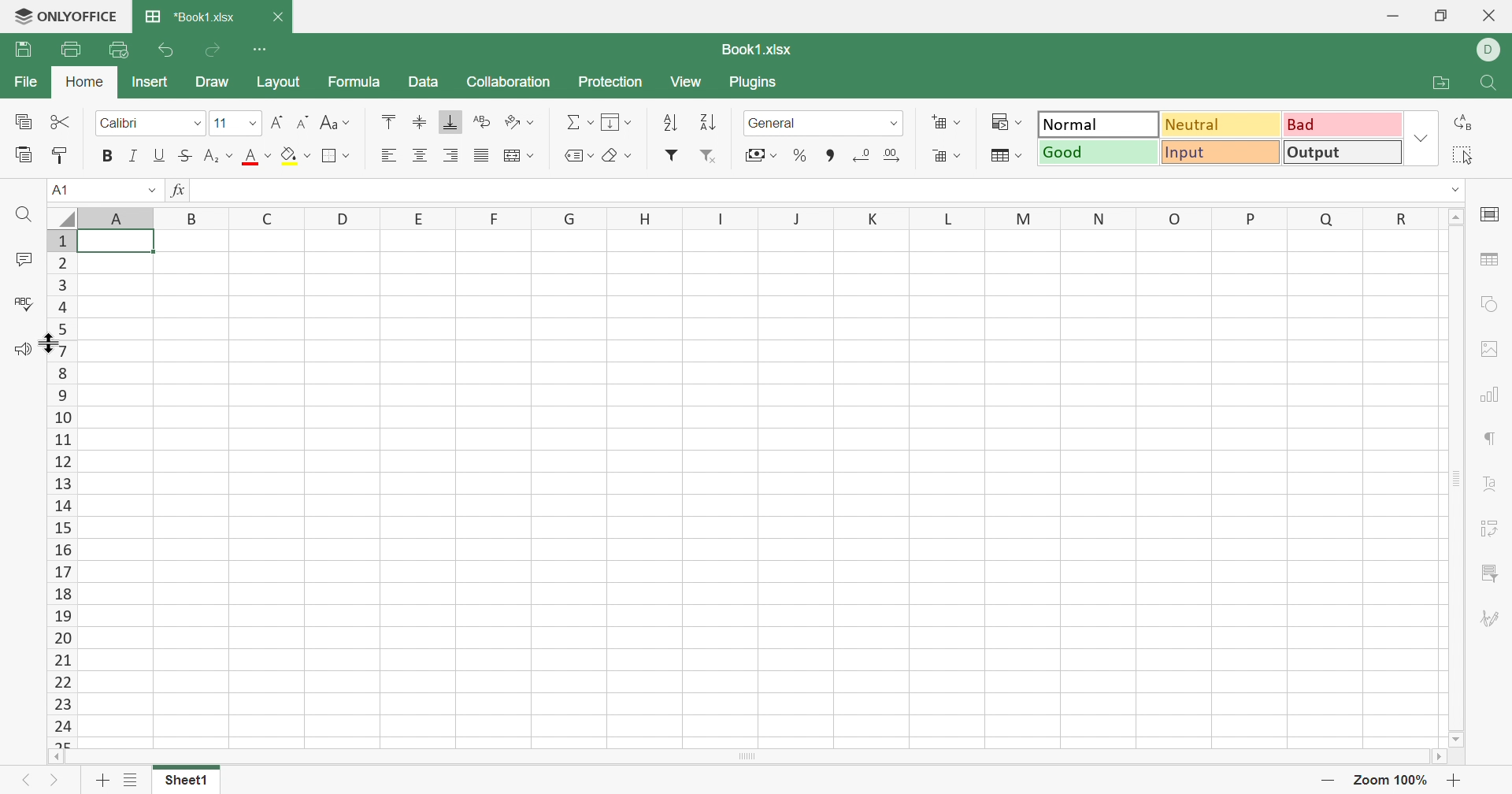 This screenshot has height=794, width=1512. Describe the element at coordinates (508, 80) in the screenshot. I see `Collaboration` at that location.